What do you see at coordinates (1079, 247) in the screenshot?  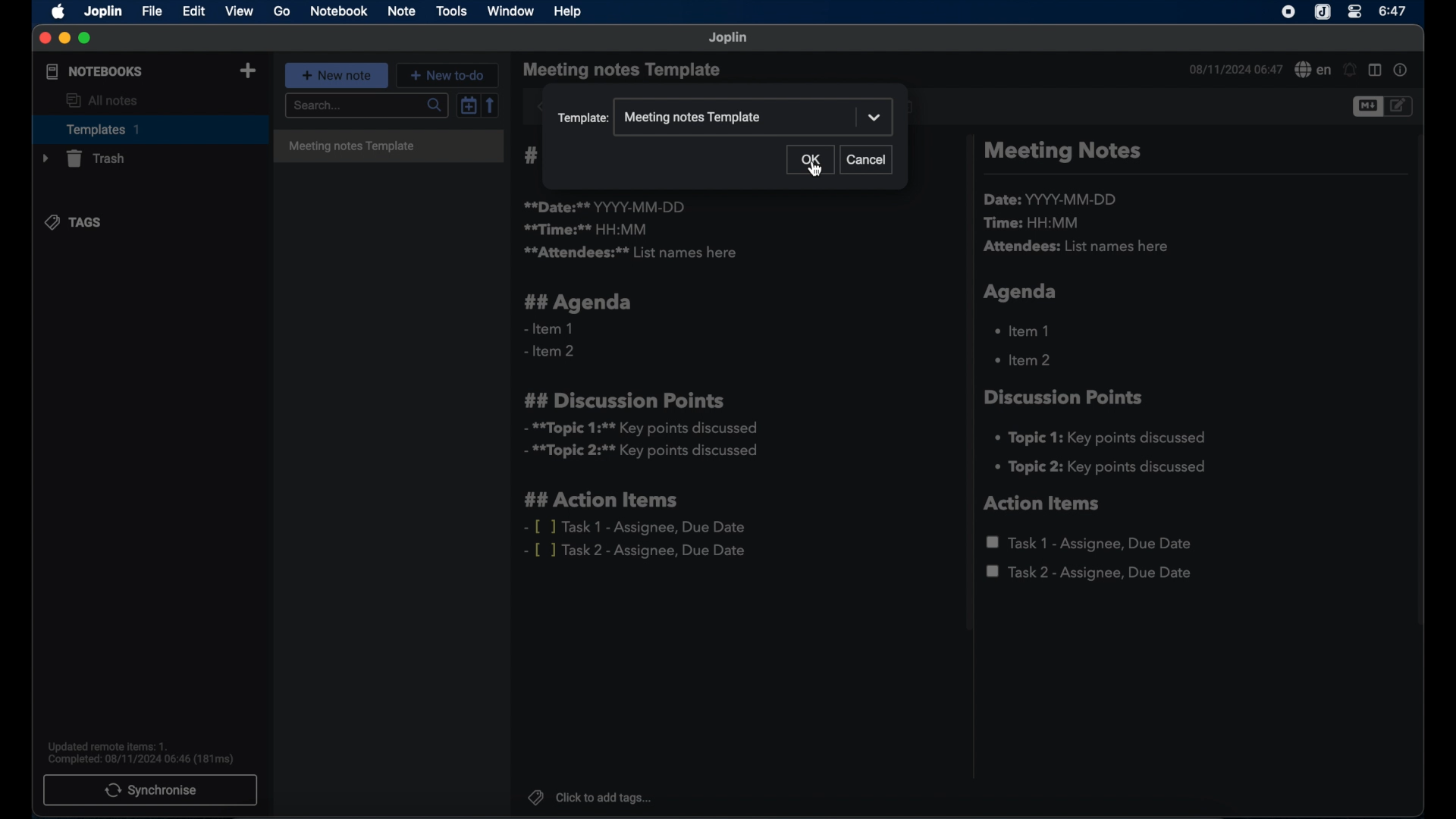 I see `attendees: list names here` at bounding box center [1079, 247].